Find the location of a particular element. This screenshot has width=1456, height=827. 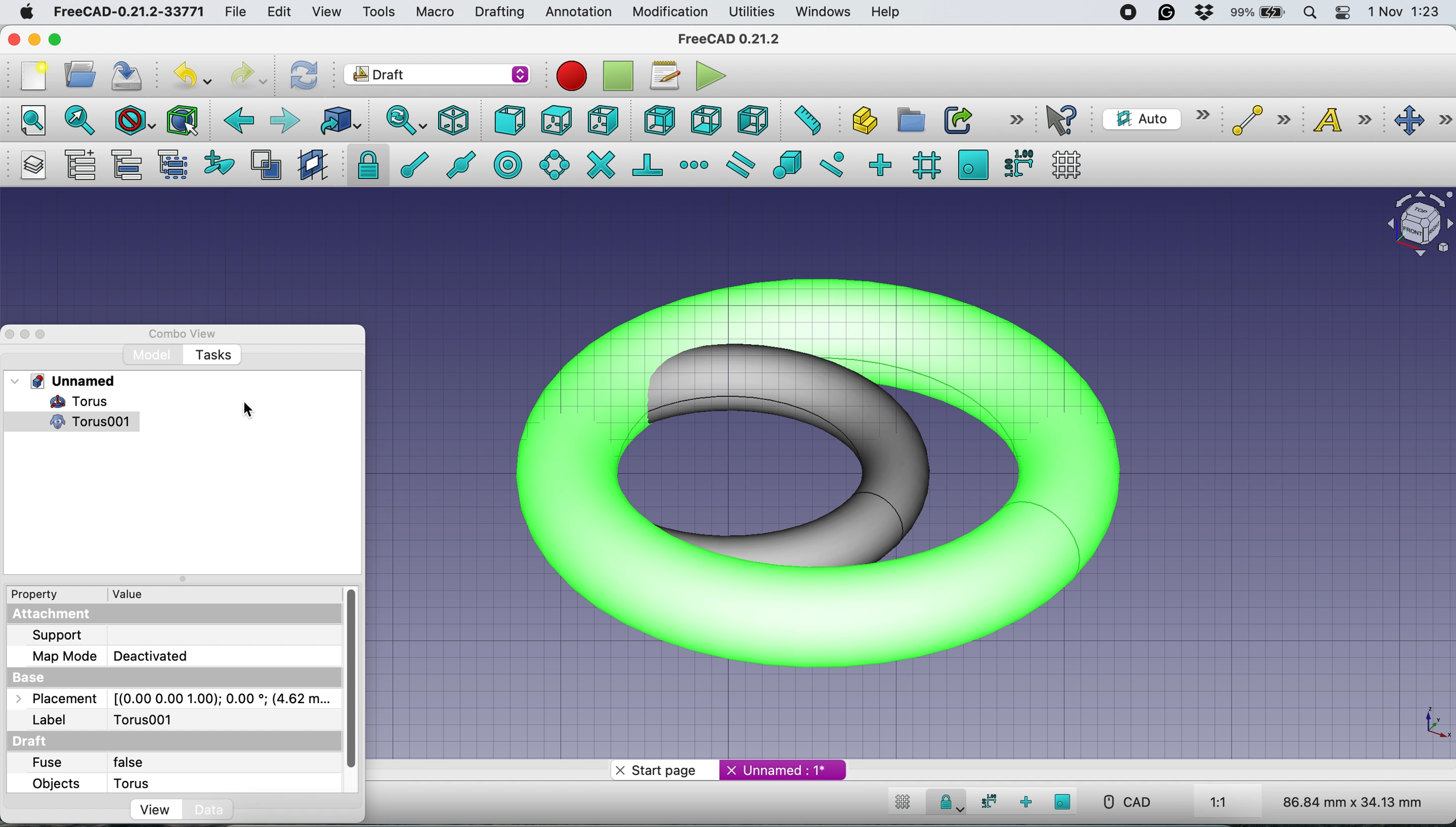

add to construction group is located at coordinates (215, 165).